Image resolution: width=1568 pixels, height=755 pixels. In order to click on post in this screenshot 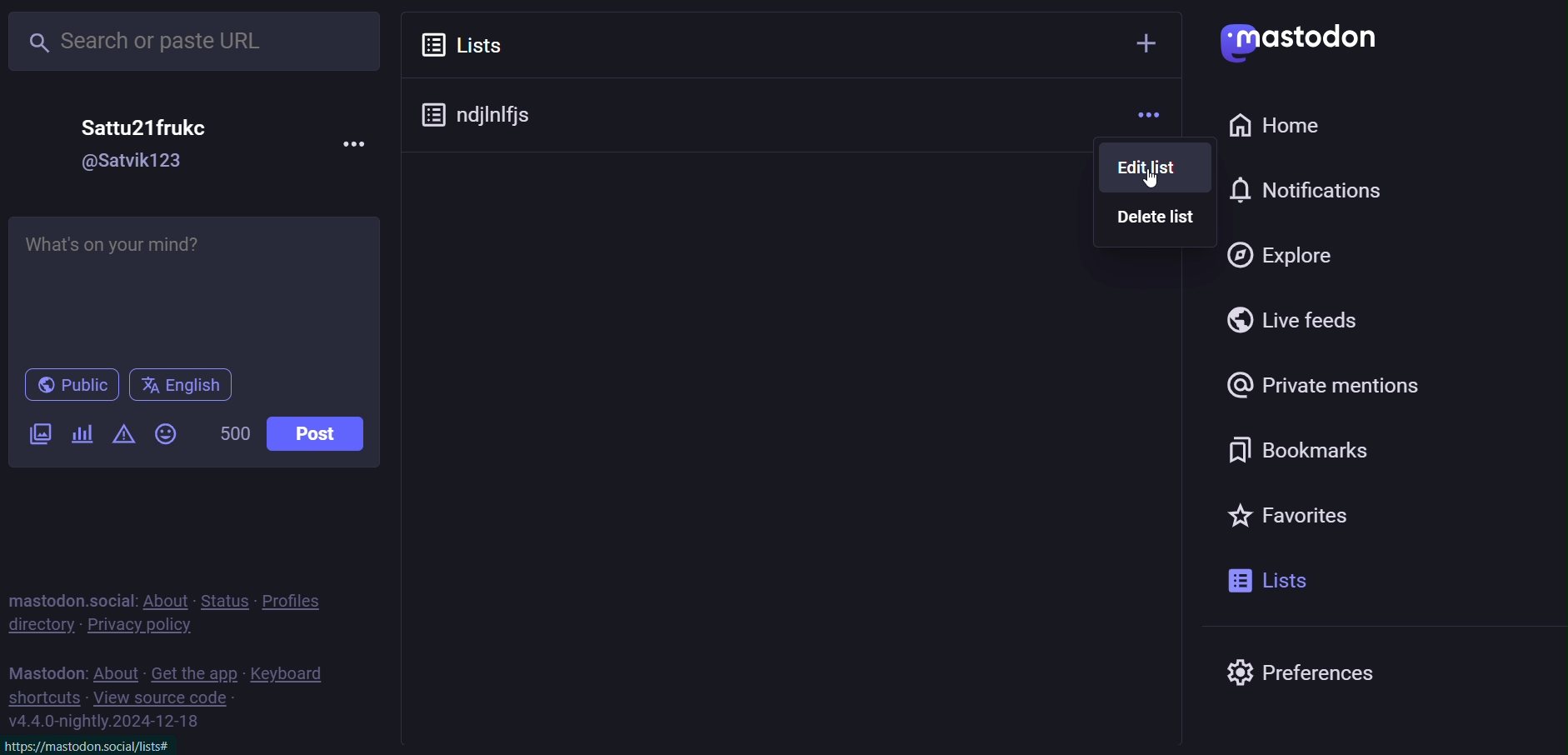, I will do `click(327, 433)`.